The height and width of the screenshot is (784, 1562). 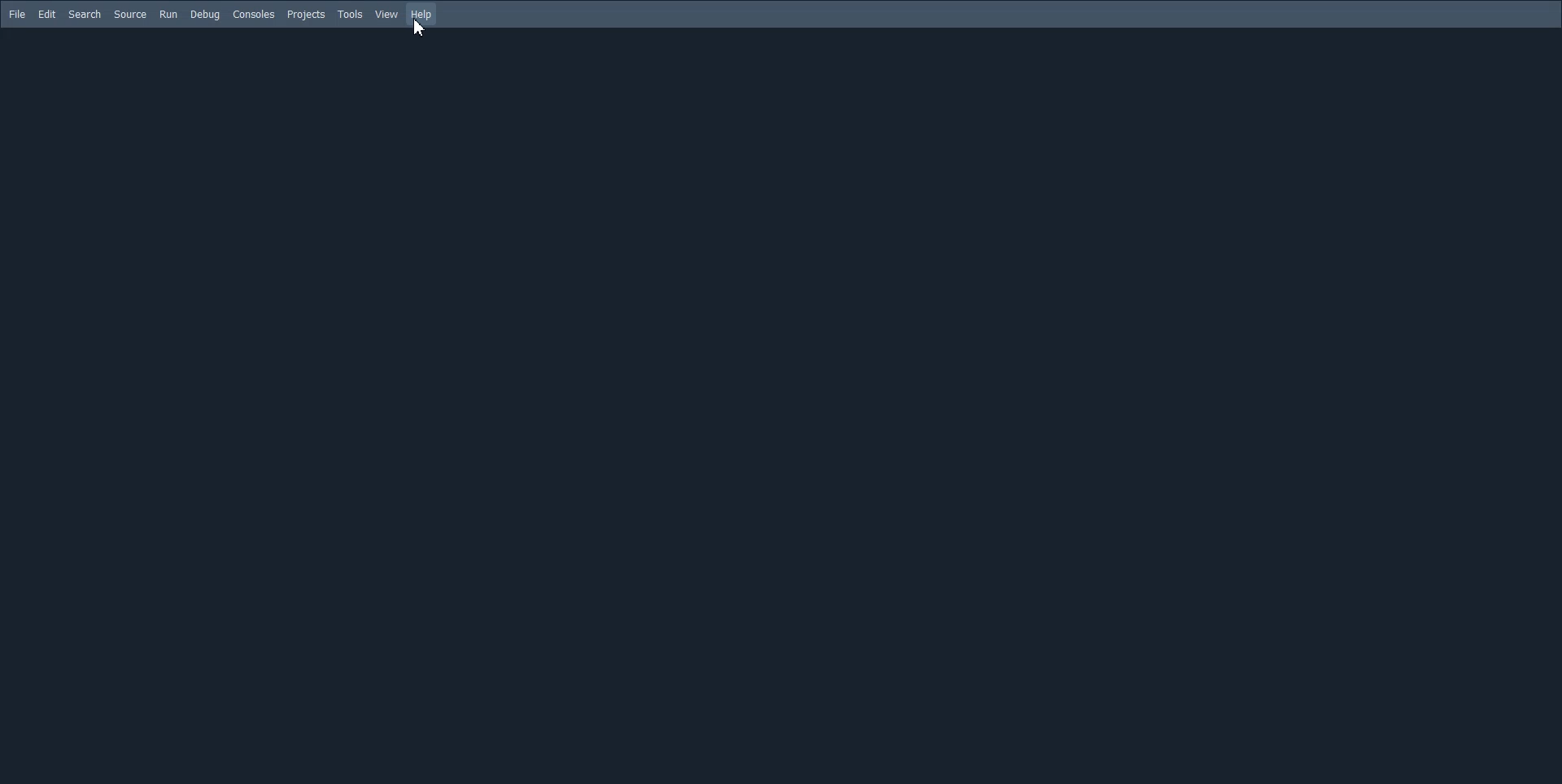 What do you see at coordinates (85, 14) in the screenshot?
I see `Search` at bounding box center [85, 14].